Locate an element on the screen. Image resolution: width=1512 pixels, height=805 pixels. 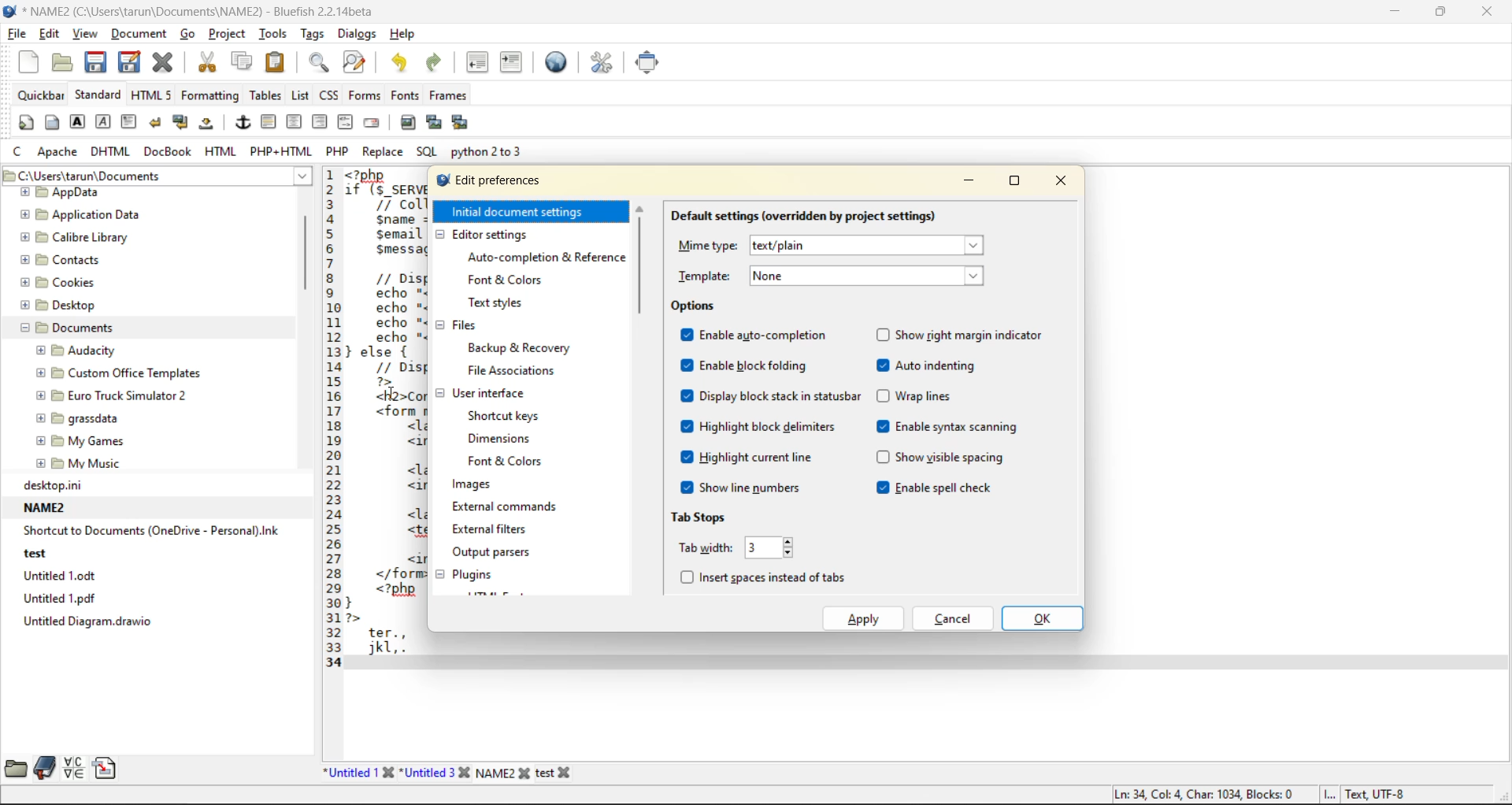
file names is located at coordinates (454, 770).